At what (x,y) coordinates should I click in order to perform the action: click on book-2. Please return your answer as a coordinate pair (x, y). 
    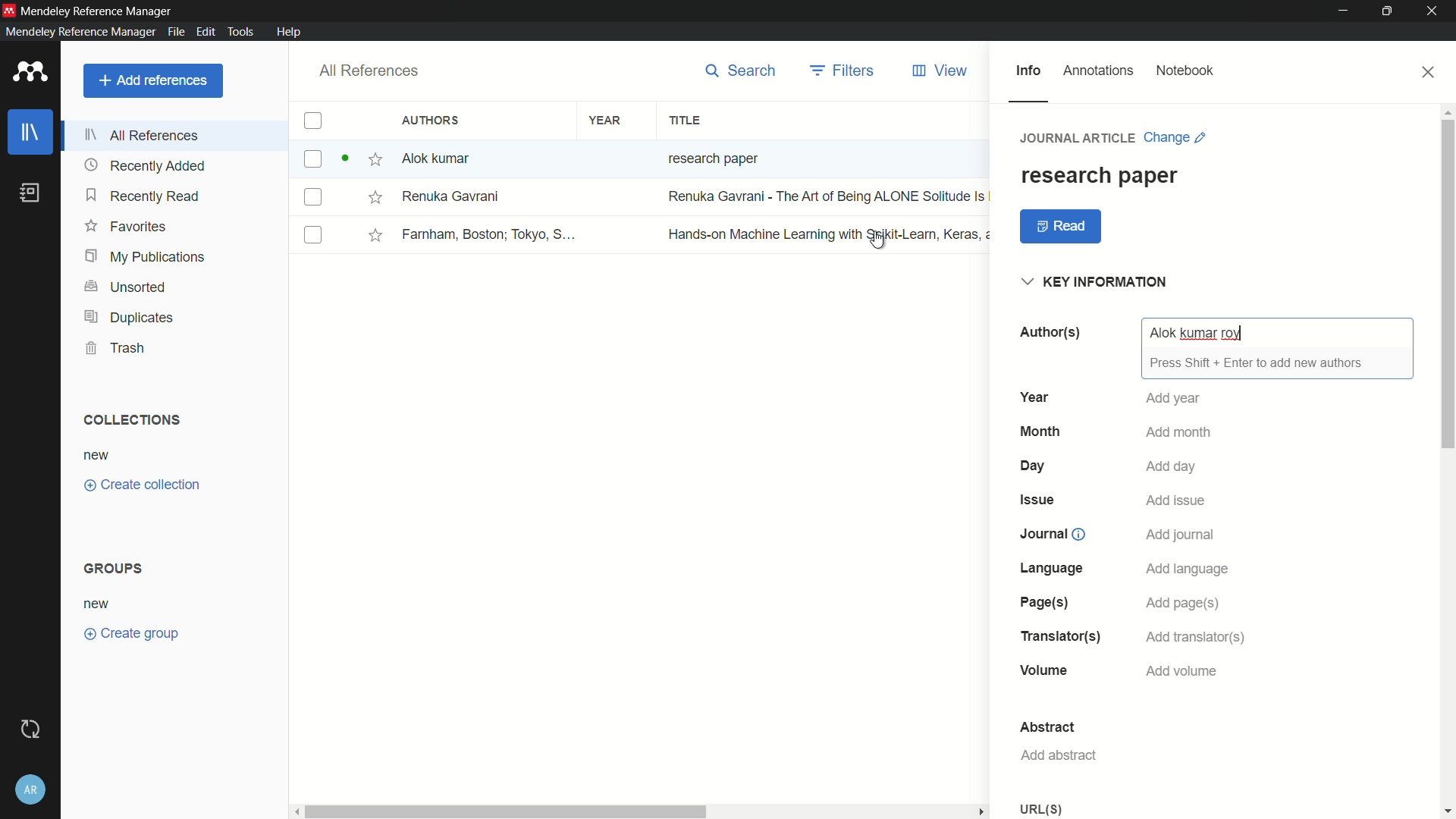
    Looking at the image, I should click on (644, 197).